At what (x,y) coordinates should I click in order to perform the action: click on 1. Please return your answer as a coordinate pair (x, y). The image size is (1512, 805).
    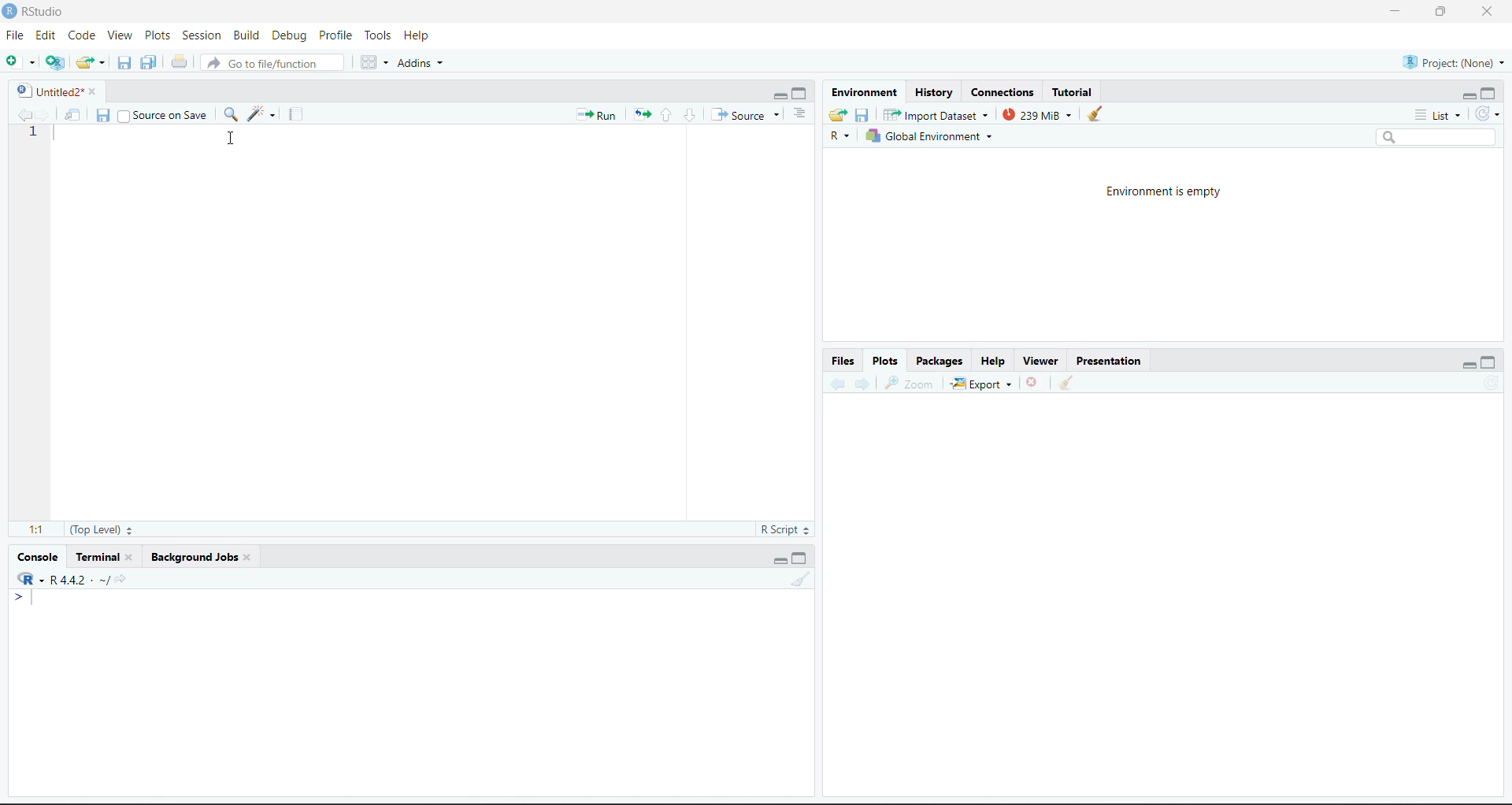
    Looking at the image, I should click on (35, 131).